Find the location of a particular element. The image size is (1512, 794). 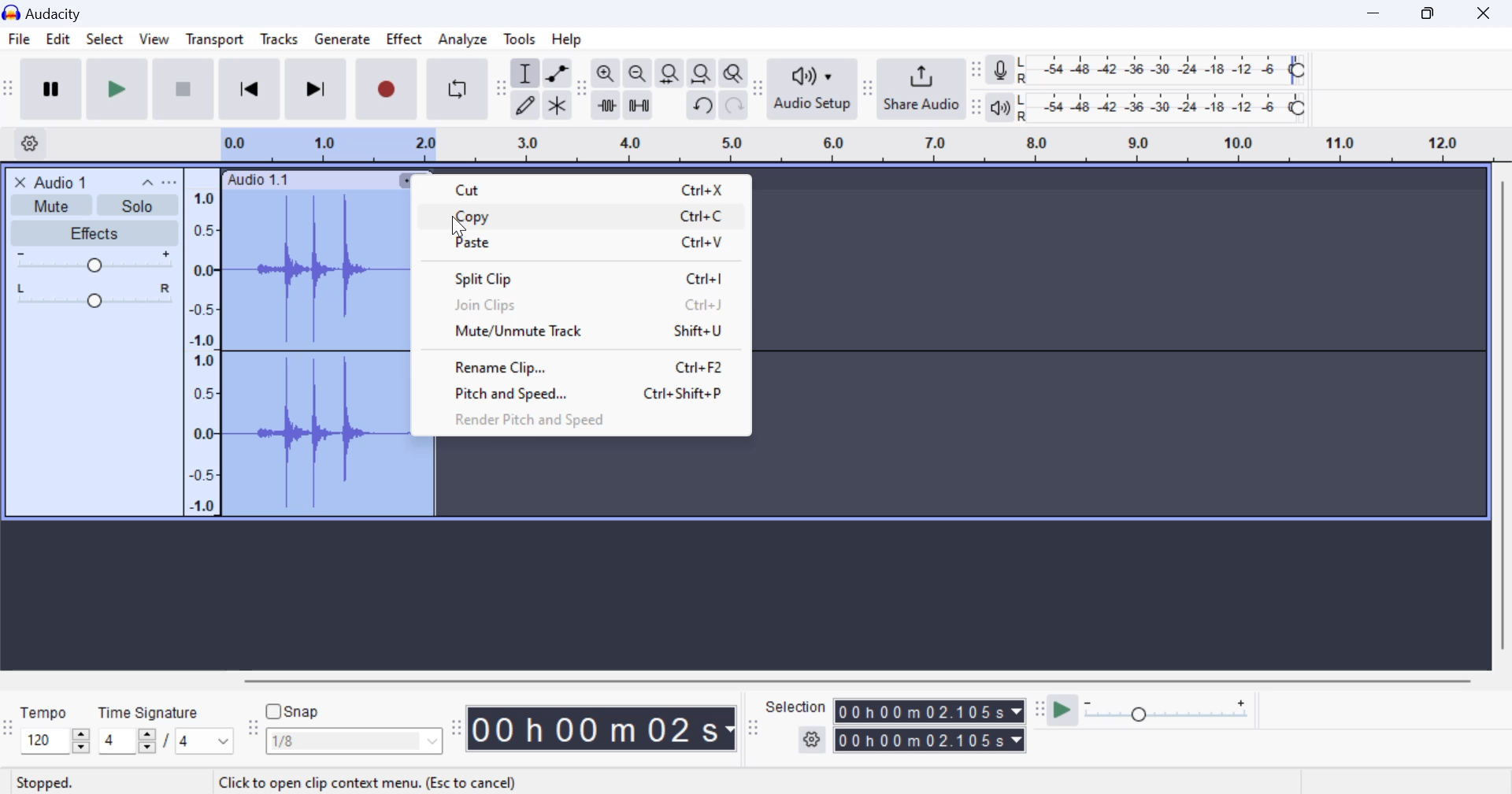

Join Clips is located at coordinates (580, 303).